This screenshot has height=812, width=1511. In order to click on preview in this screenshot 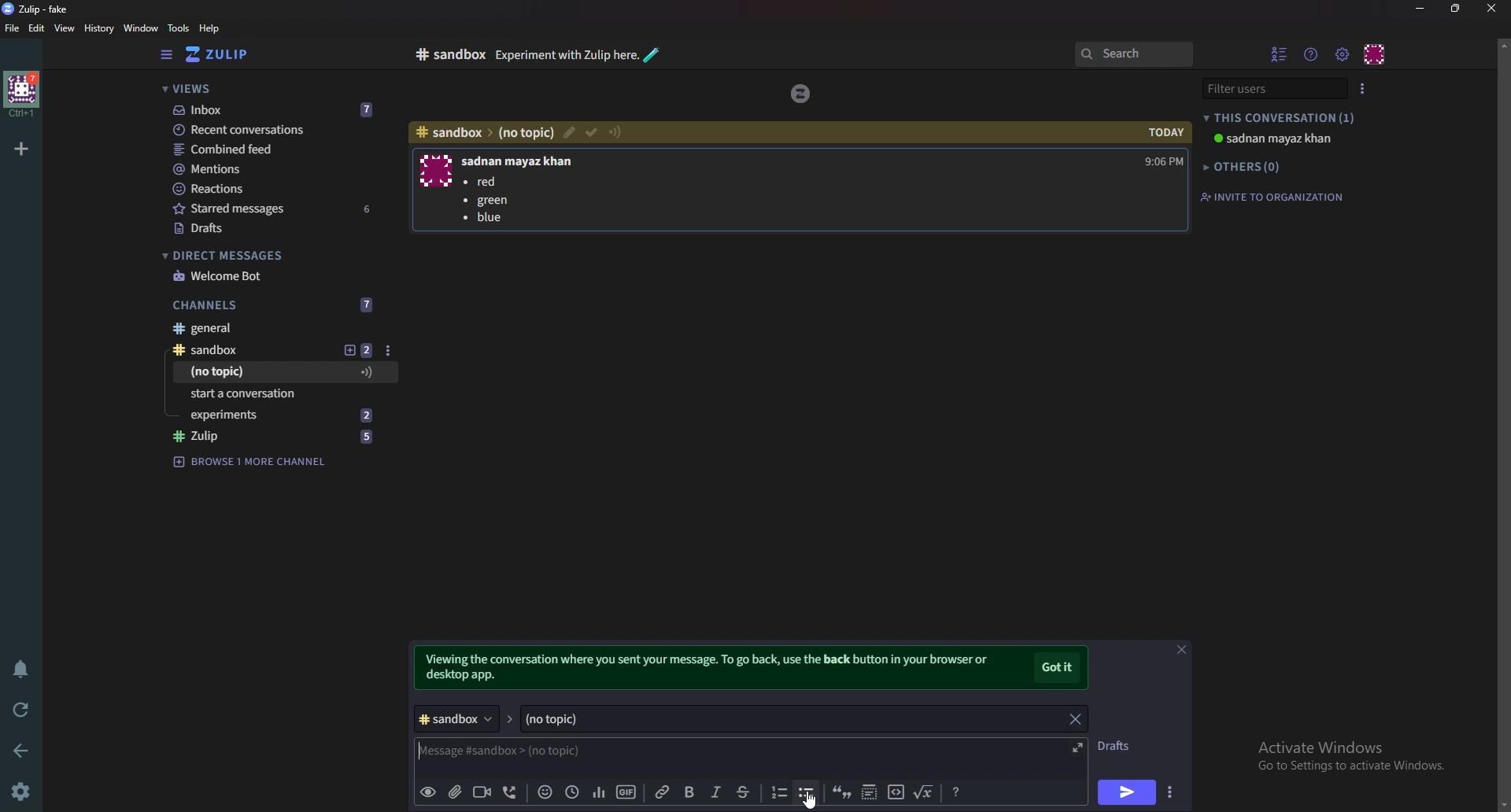, I will do `click(427, 793)`.